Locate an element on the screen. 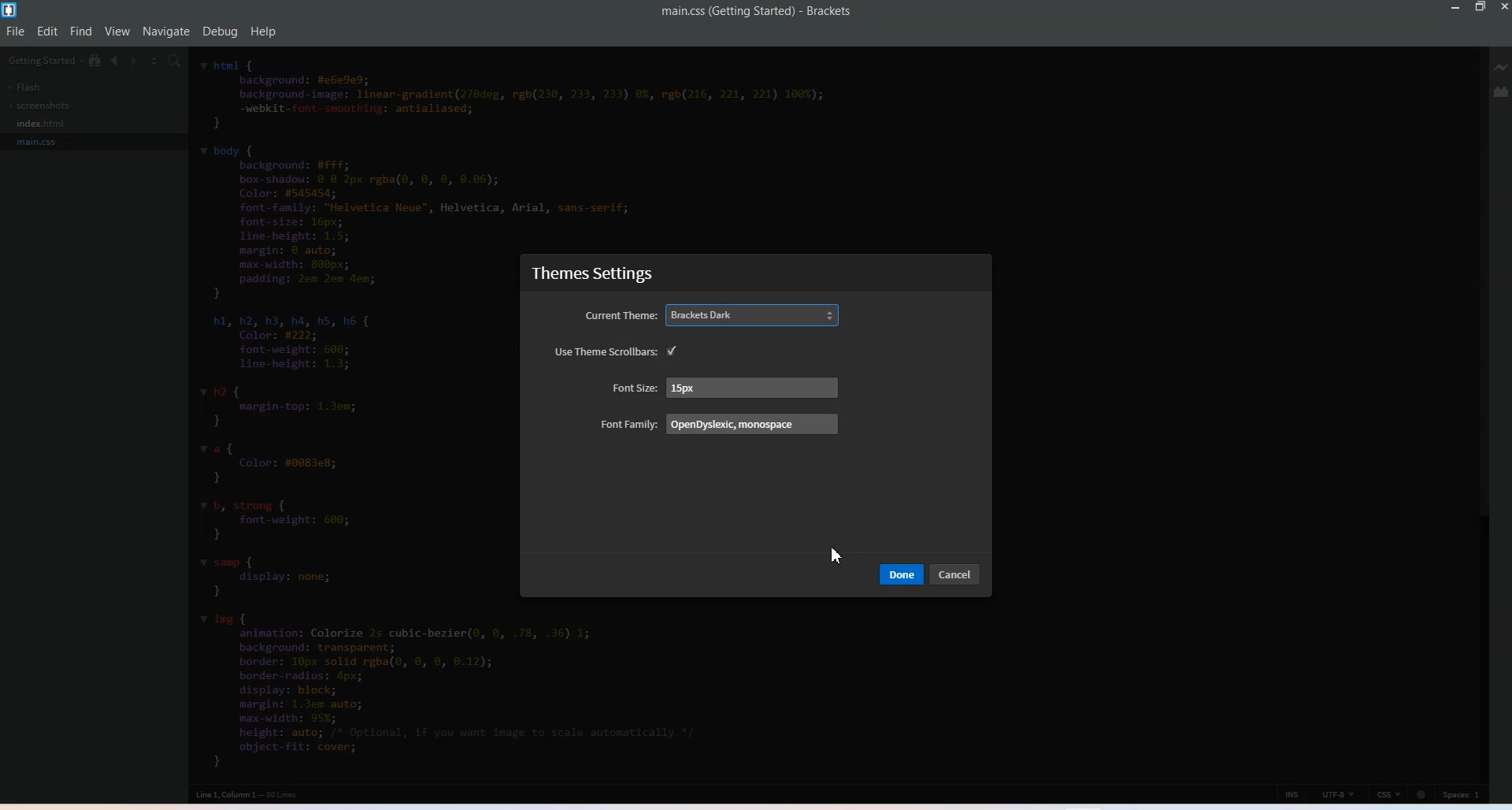 This screenshot has height=810, width=1512. Debug is located at coordinates (220, 32).